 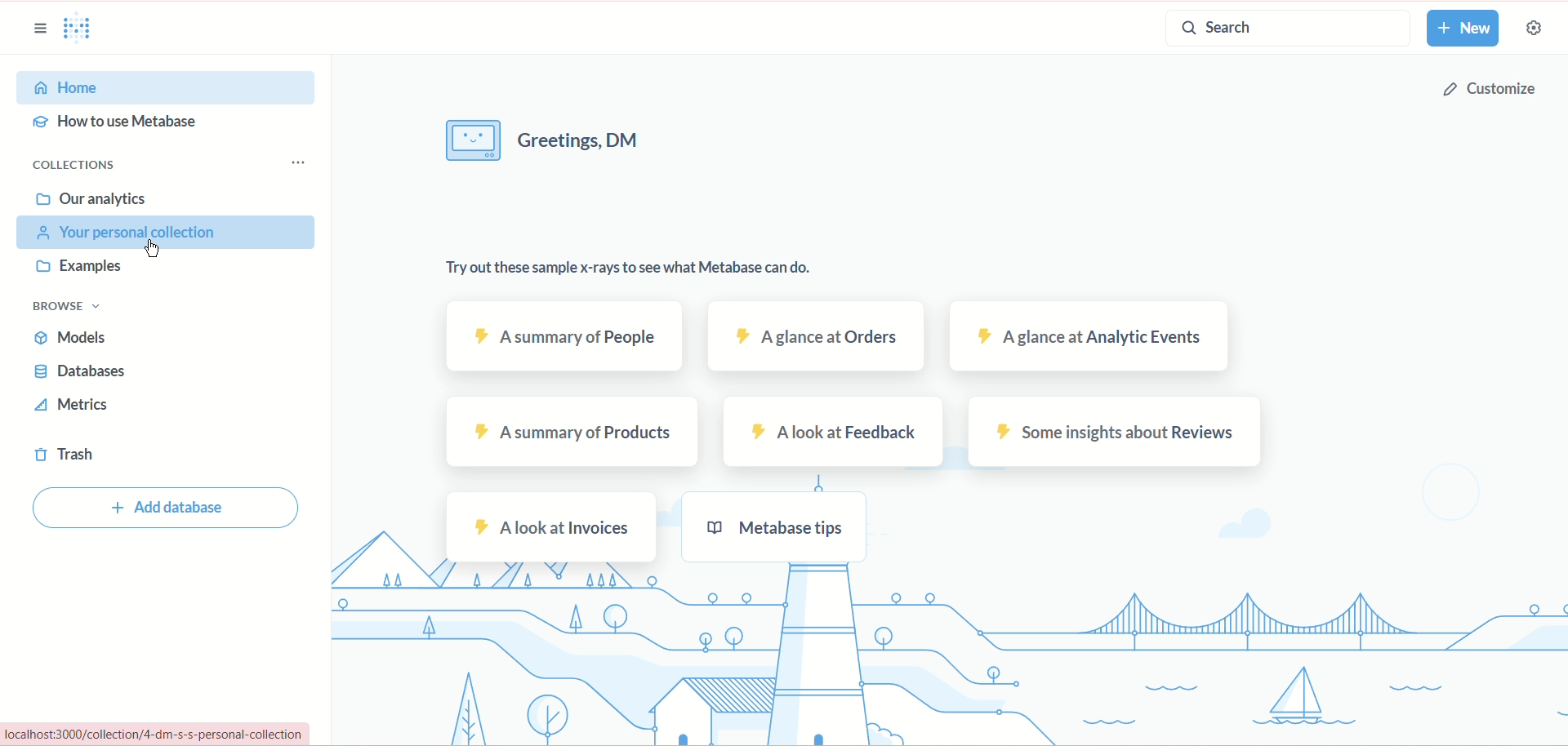 I want to click on browse, so click(x=69, y=308).